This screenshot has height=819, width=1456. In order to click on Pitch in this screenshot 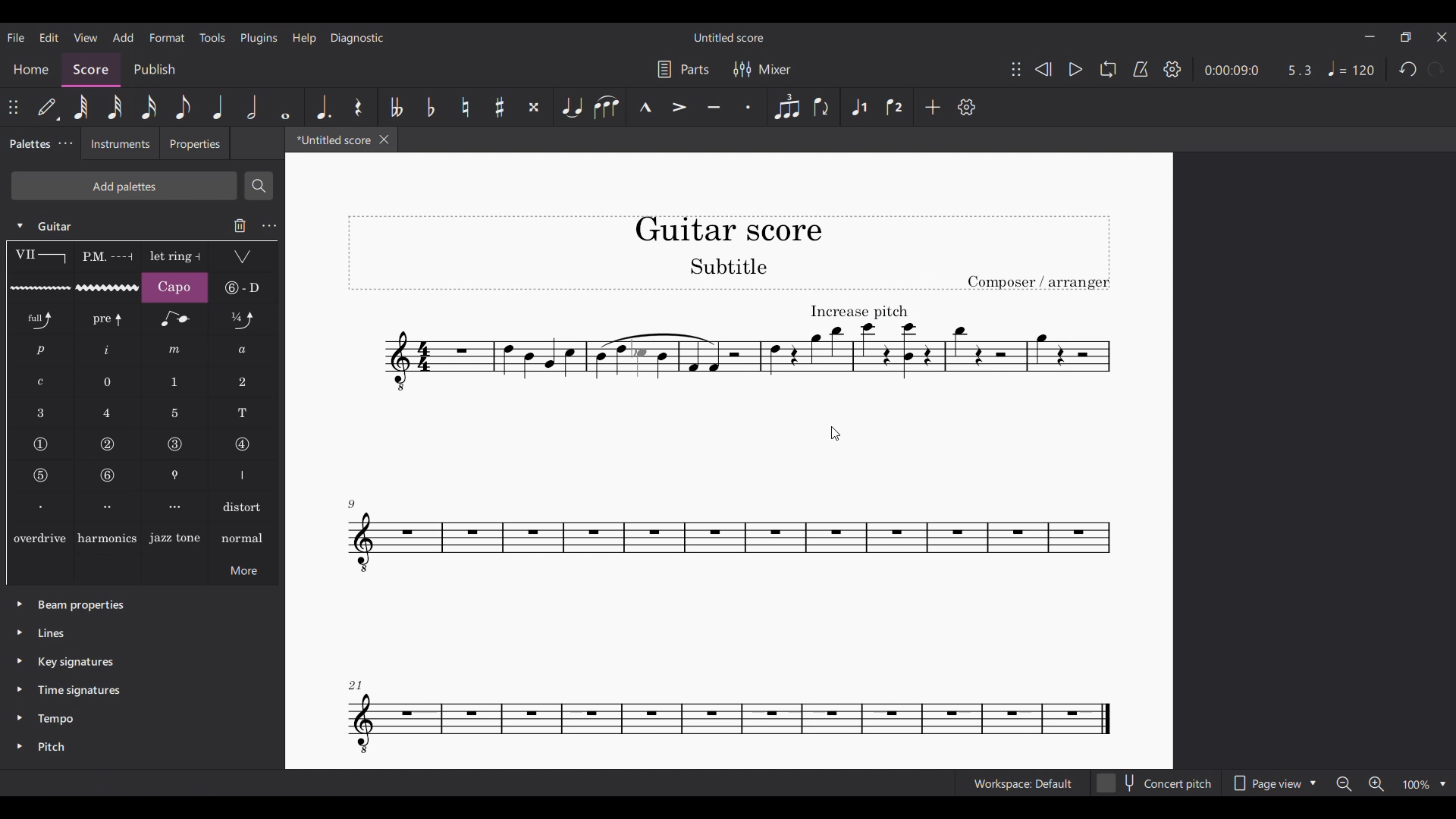, I will do `click(50, 747)`.